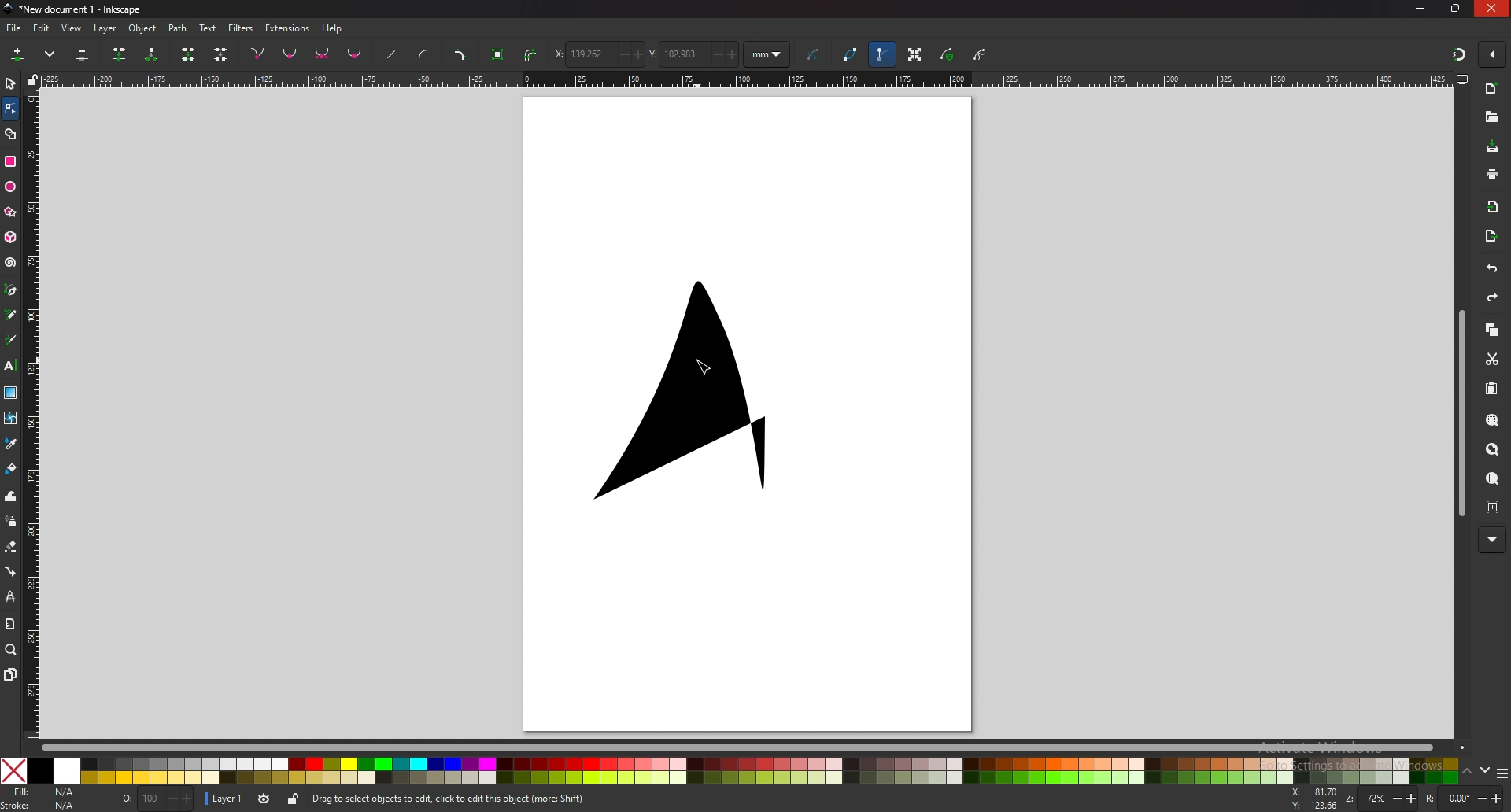 The image size is (1511, 812). Describe the element at coordinates (1492, 358) in the screenshot. I see `cut` at that location.